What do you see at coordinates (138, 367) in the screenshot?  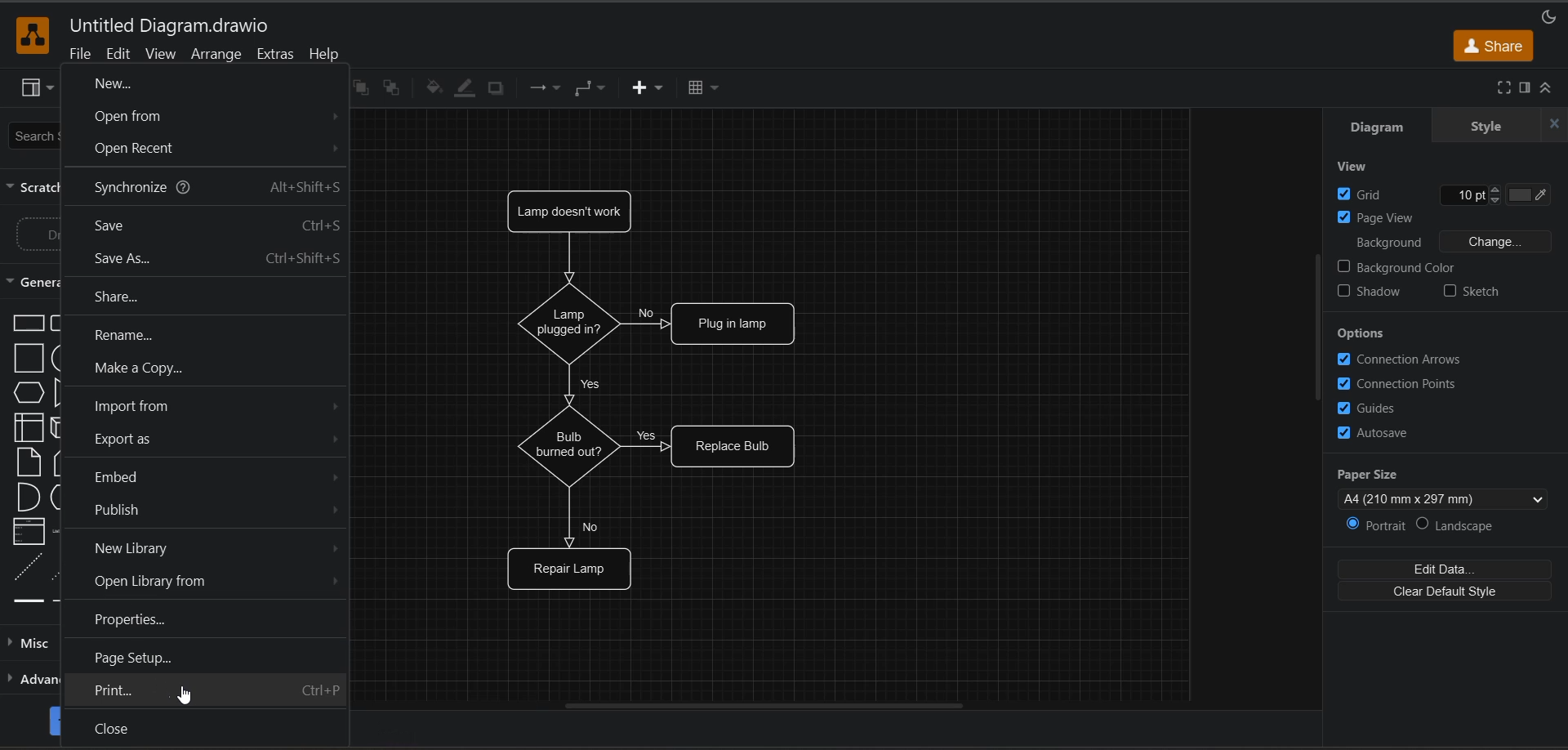 I see `make a copy` at bounding box center [138, 367].